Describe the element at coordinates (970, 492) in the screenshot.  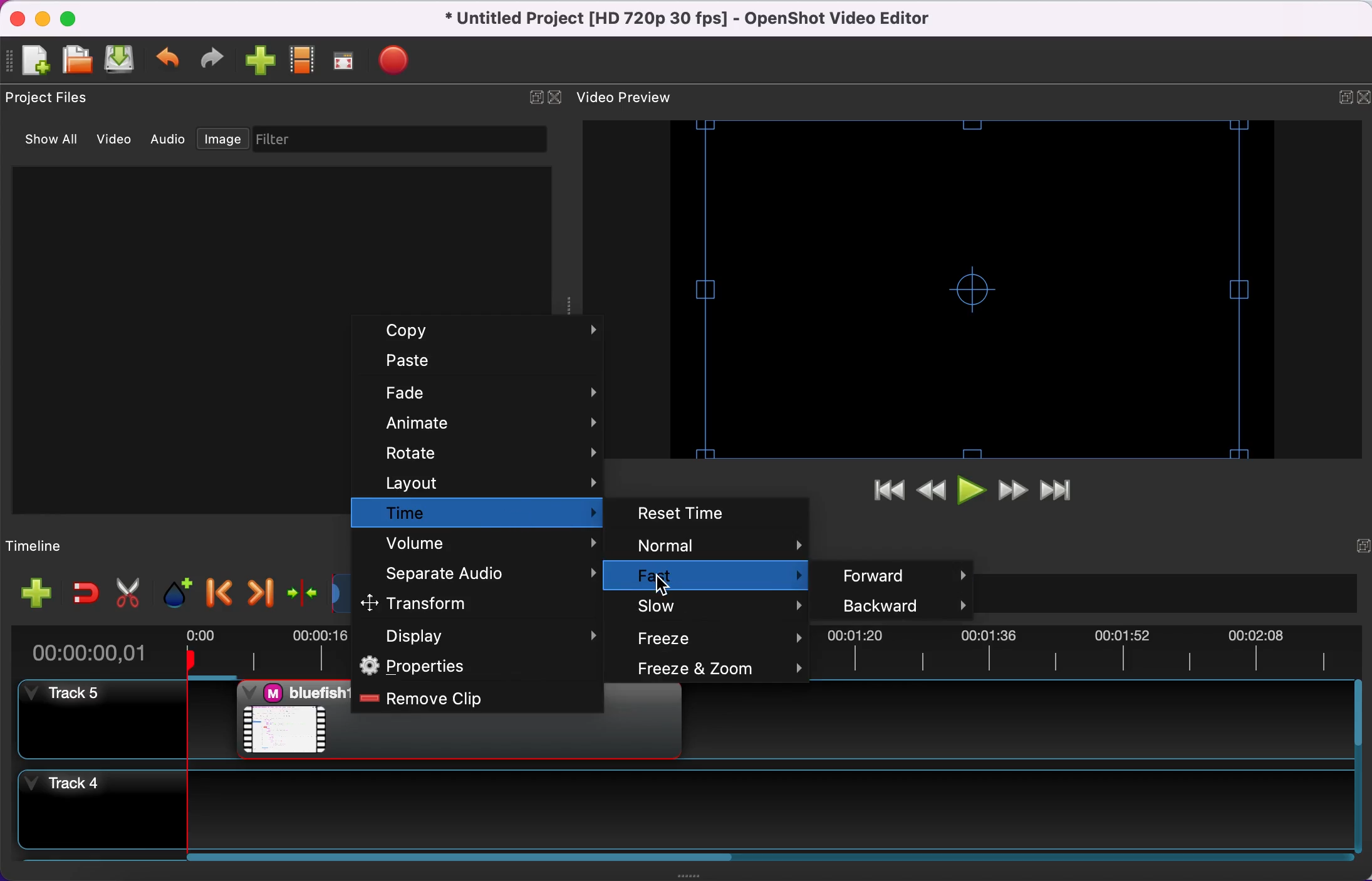
I see `play` at that location.